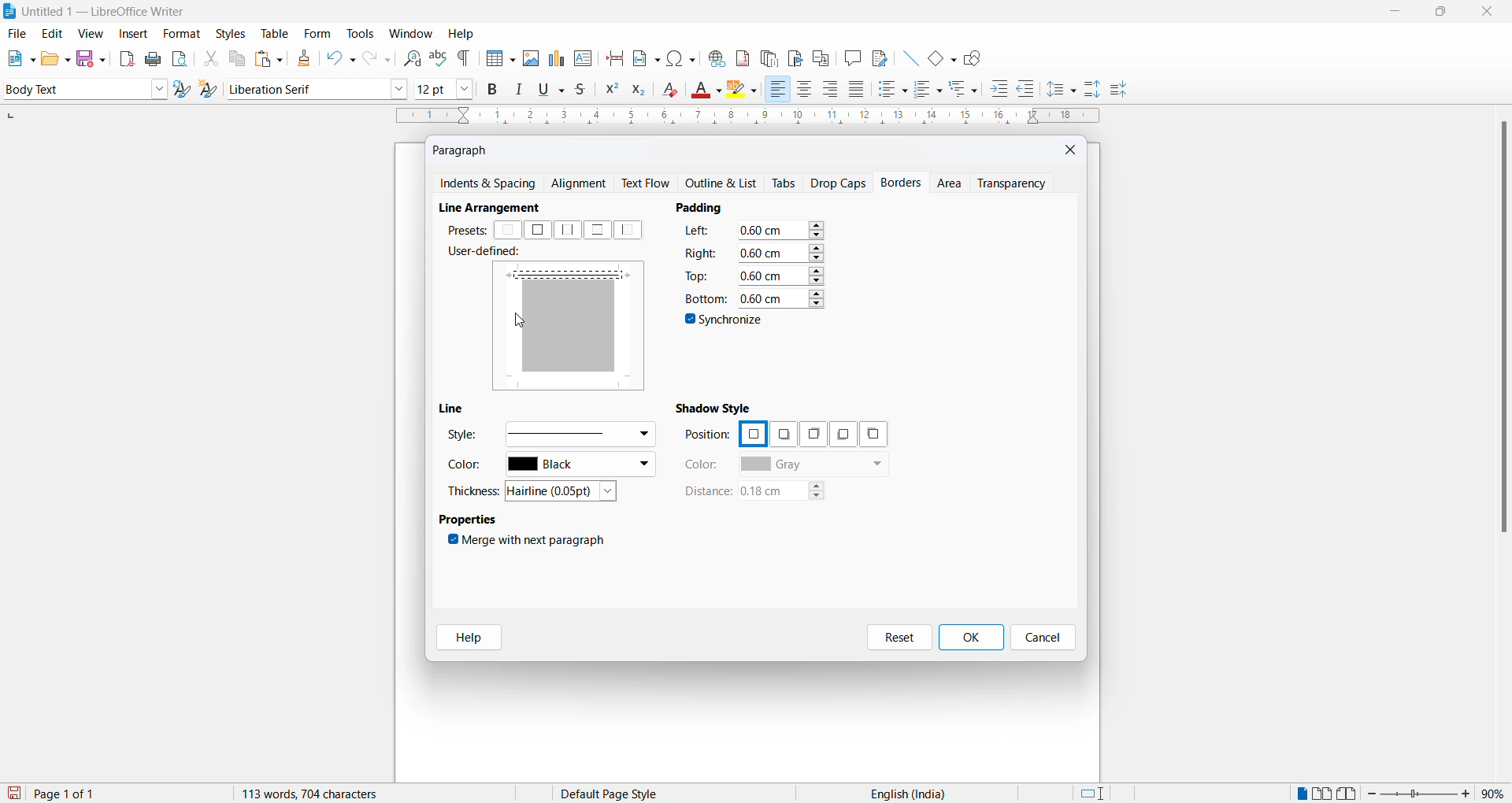  Describe the element at coordinates (301, 58) in the screenshot. I see `clone formatting` at that location.